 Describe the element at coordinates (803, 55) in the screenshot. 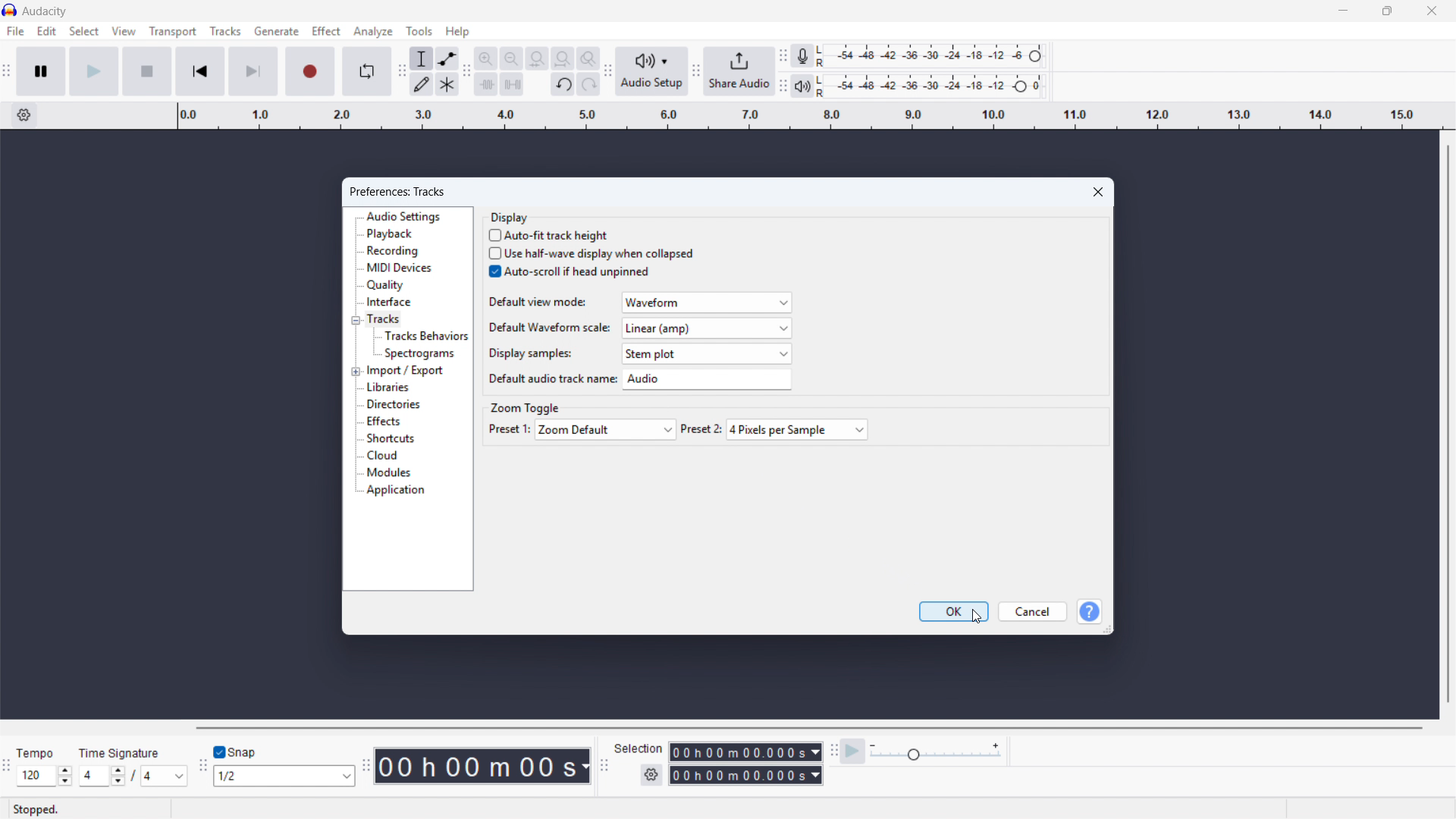

I see `recording meter` at that location.